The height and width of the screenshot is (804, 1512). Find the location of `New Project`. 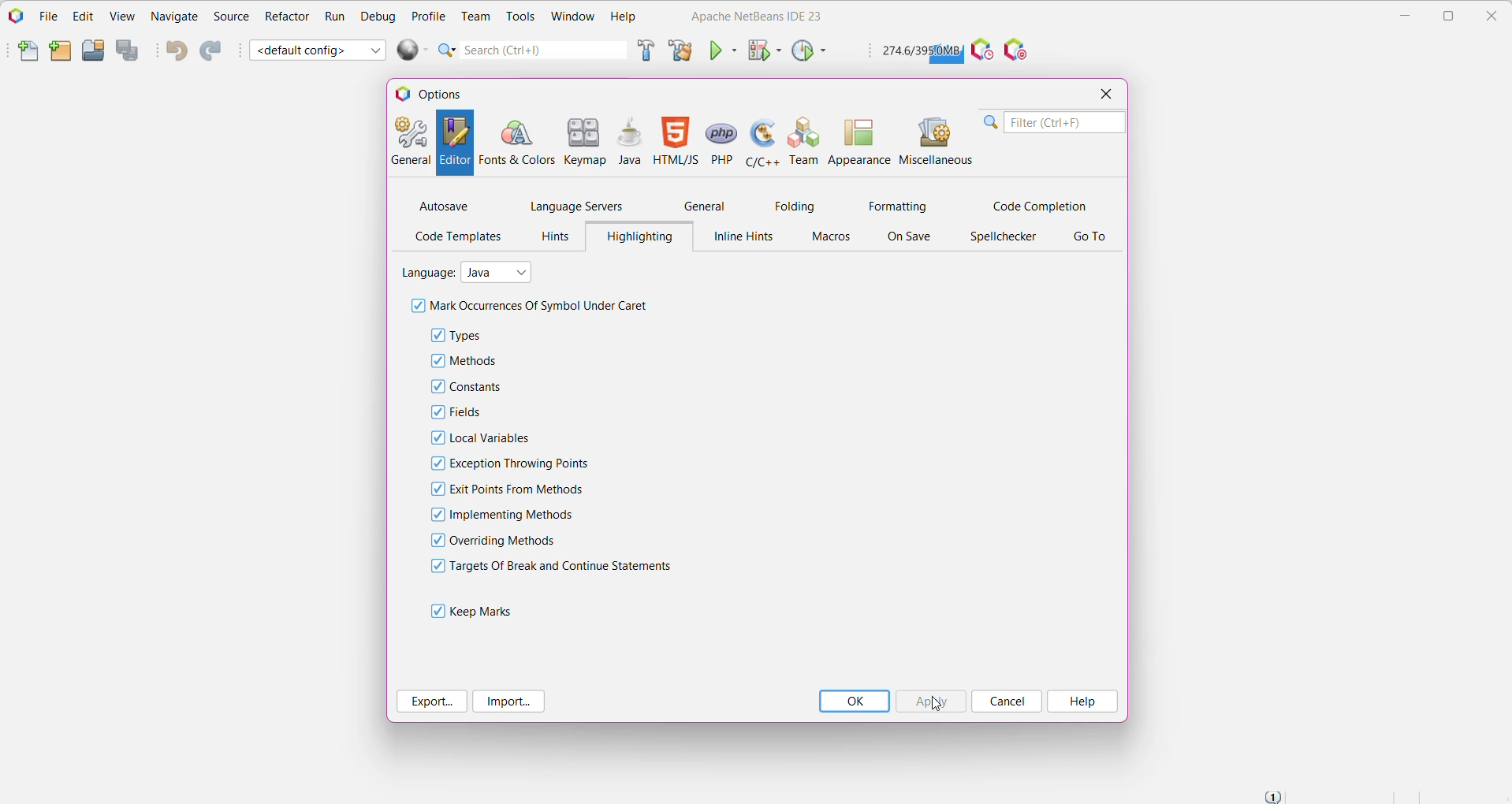

New Project is located at coordinates (58, 51).